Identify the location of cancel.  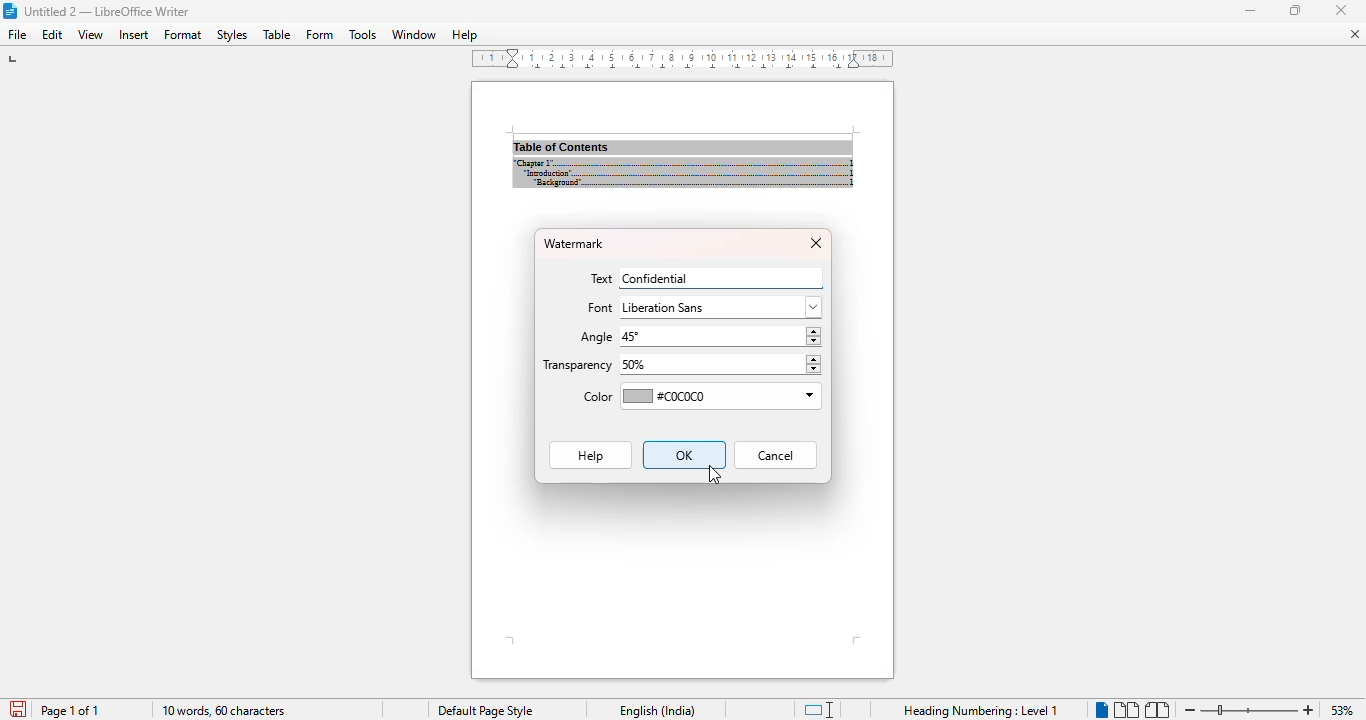
(777, 455).